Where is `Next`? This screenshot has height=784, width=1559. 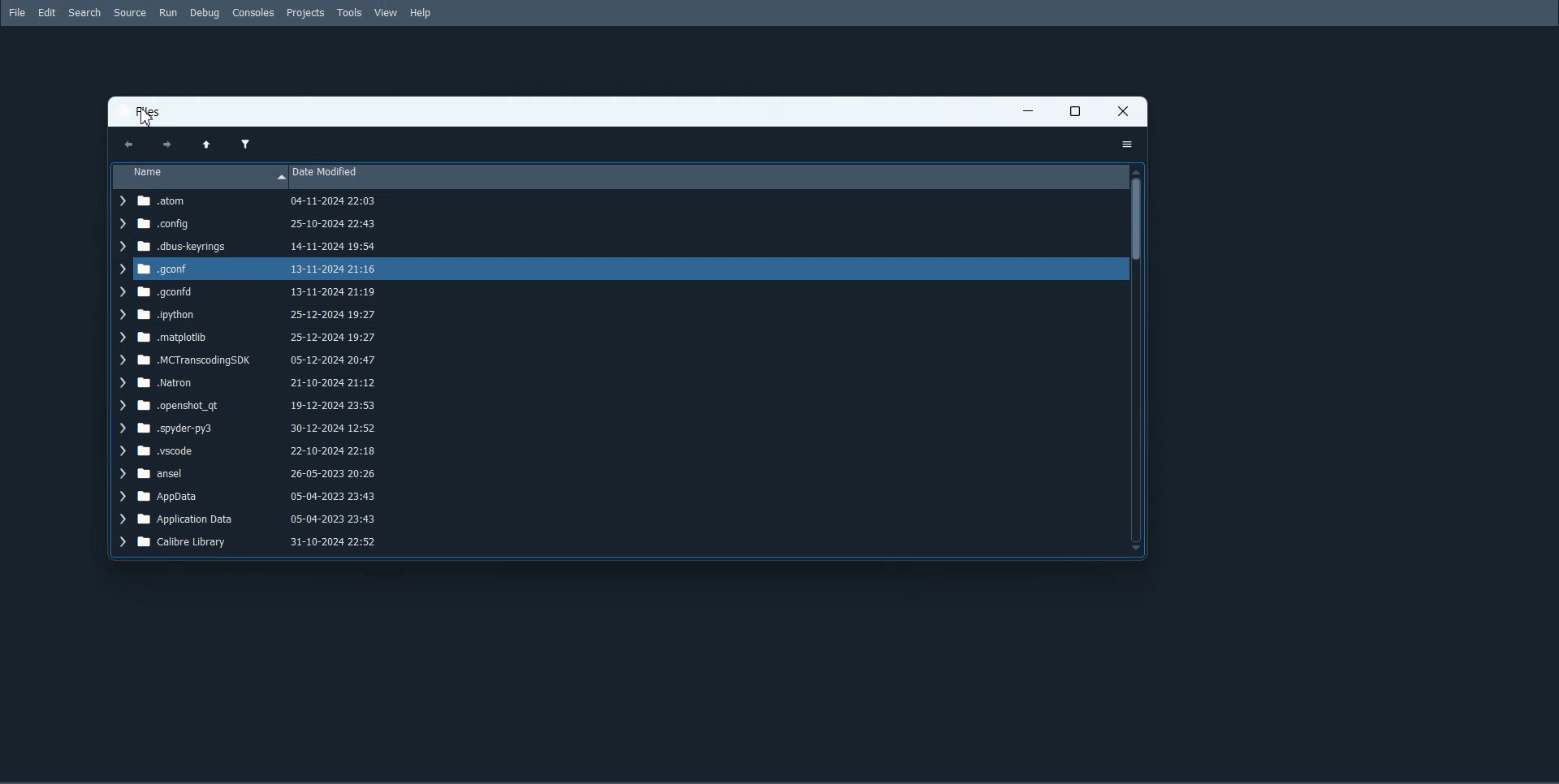
Next is located at coordinates (164, 144).